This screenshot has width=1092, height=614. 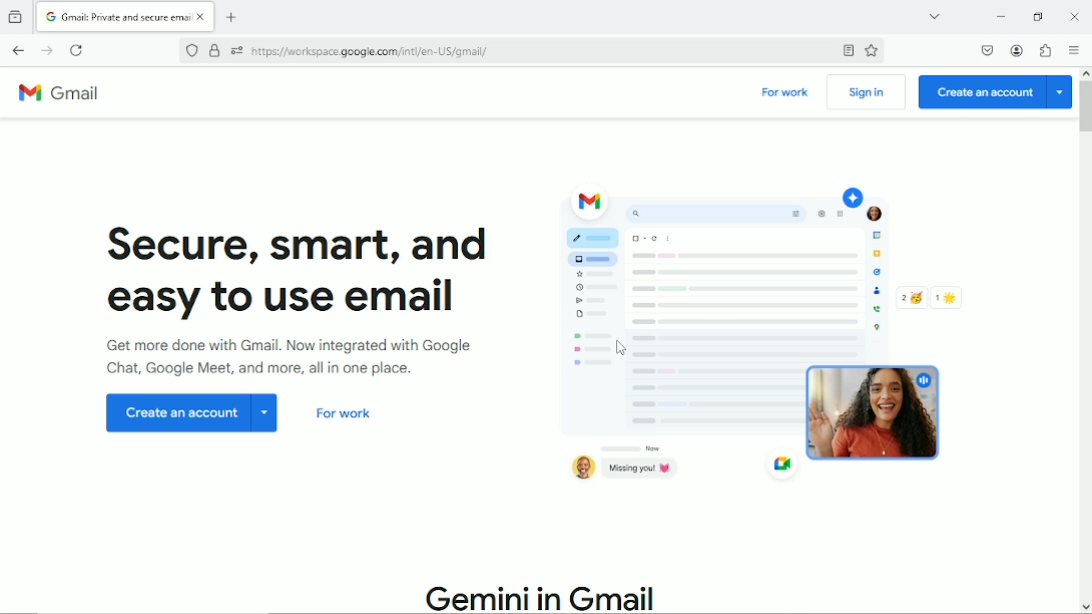 I want to click on View recent browsing, so click(x=18, y=15).